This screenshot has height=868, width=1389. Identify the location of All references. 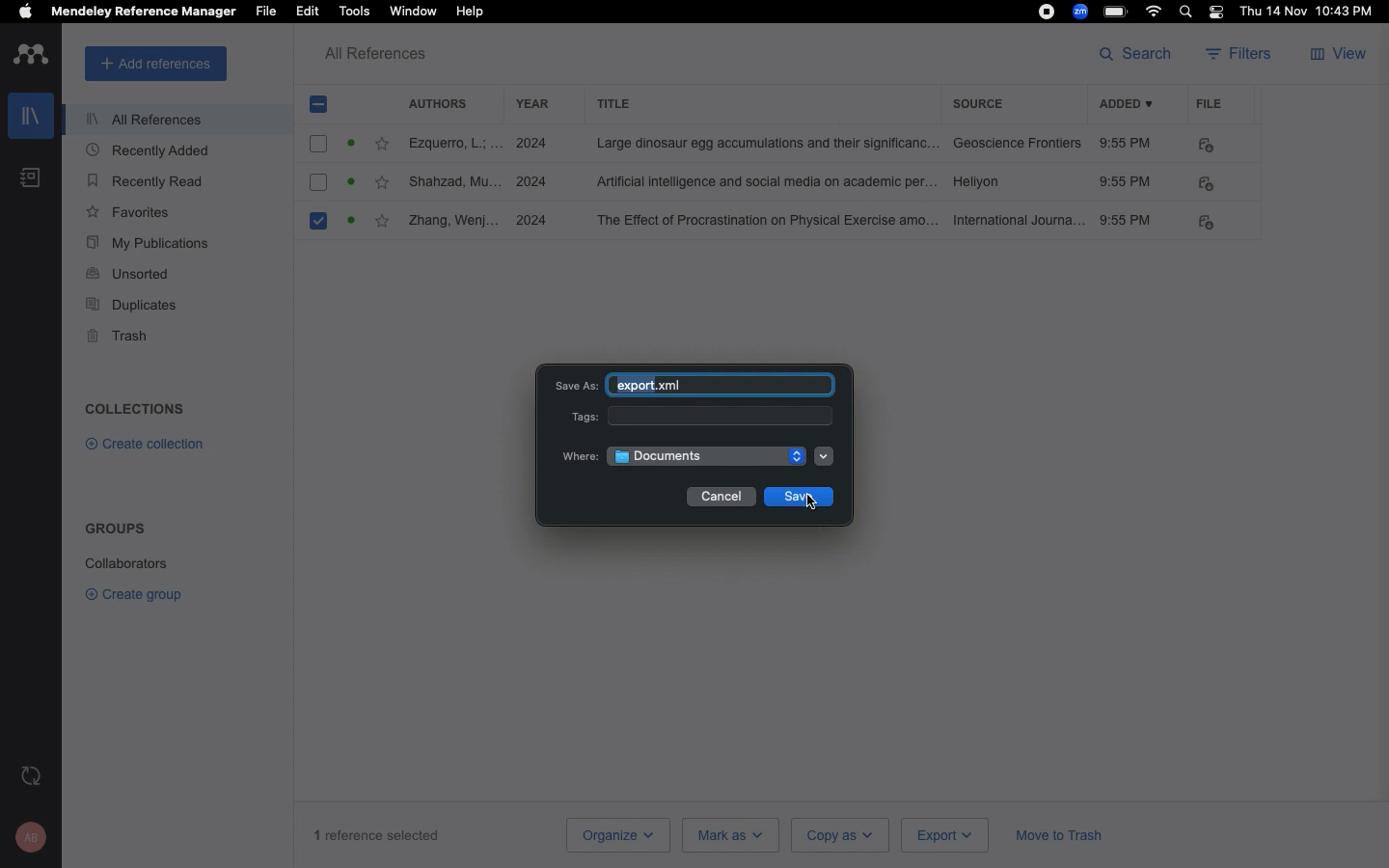
(376, 58).